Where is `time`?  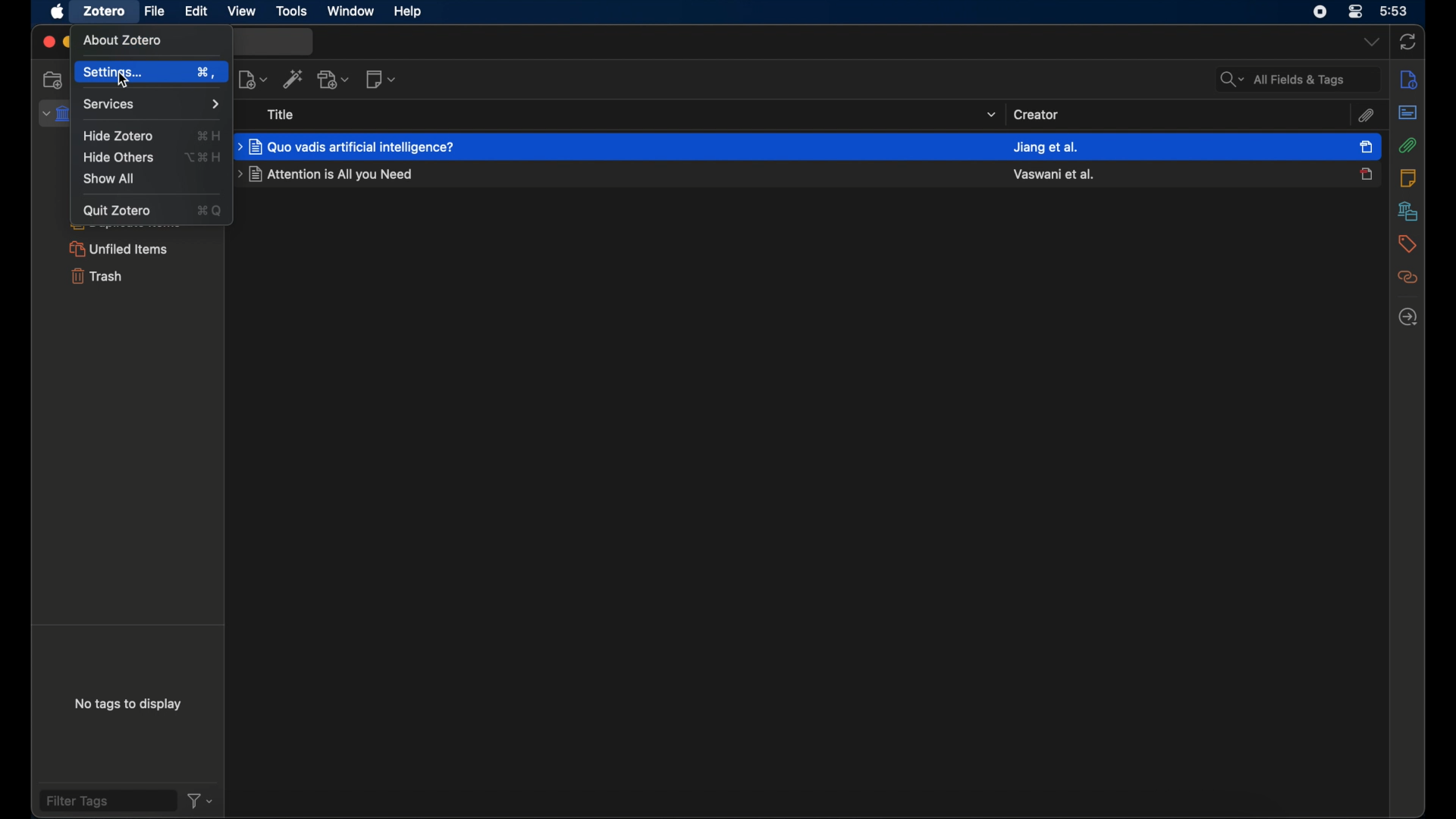 time is located at coordinates (1393, 11).